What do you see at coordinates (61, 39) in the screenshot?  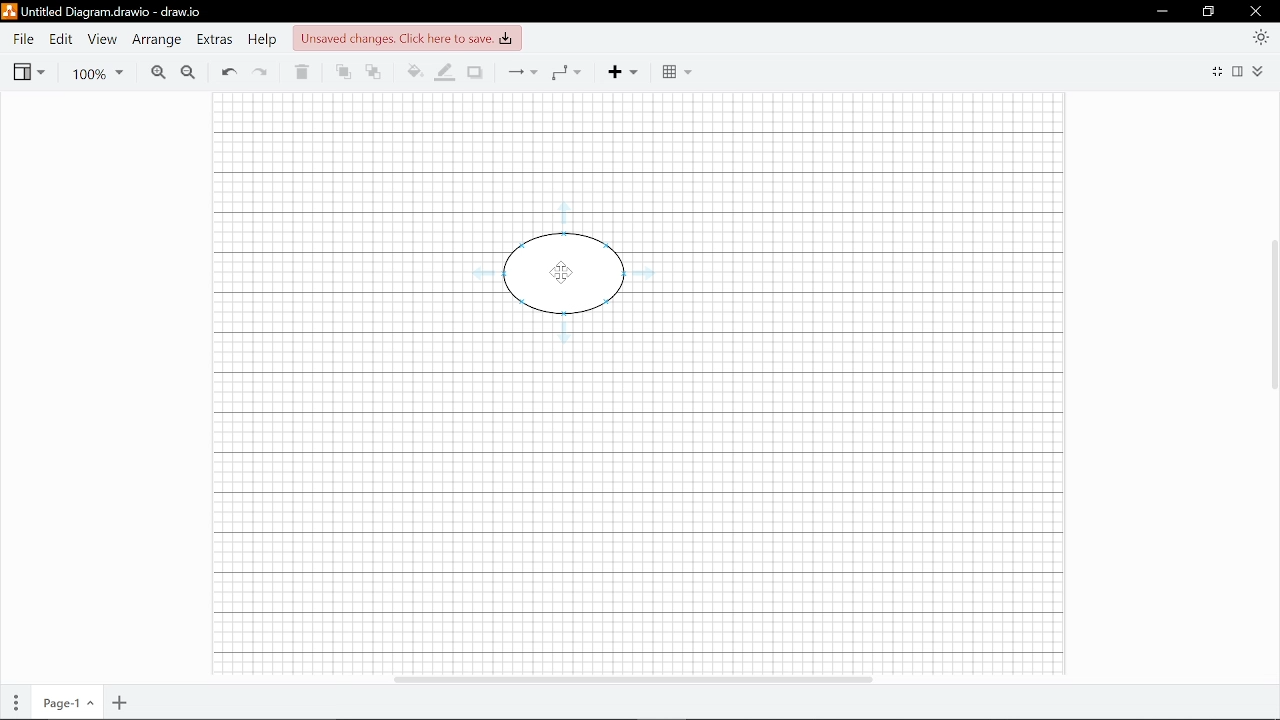 I see `Edit` at bounding box center [61, 39].